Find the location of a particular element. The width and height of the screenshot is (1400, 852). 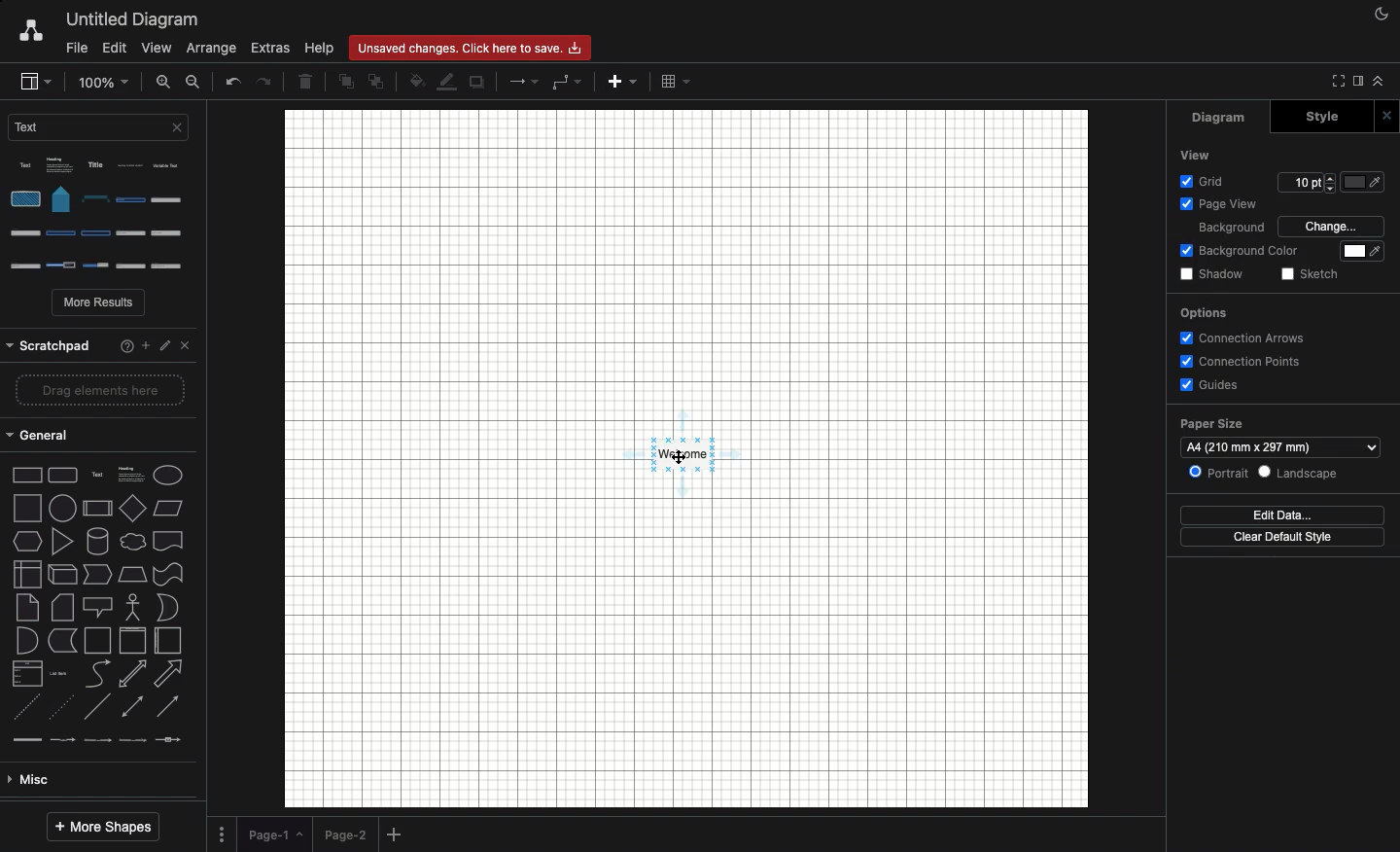

Sidebar is located at coordinates (1355, 82).